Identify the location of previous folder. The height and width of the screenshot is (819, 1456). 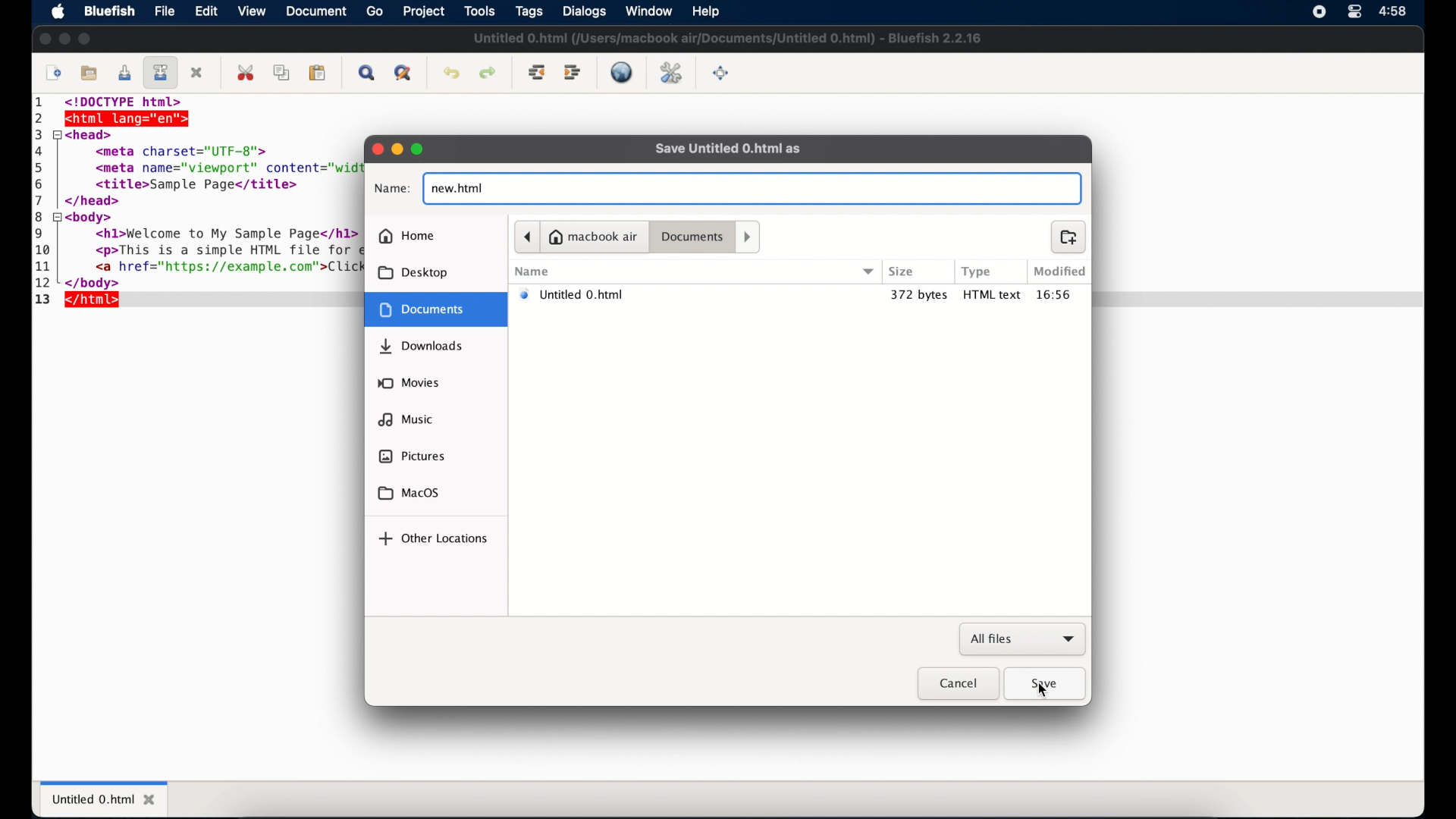
(527, 237).